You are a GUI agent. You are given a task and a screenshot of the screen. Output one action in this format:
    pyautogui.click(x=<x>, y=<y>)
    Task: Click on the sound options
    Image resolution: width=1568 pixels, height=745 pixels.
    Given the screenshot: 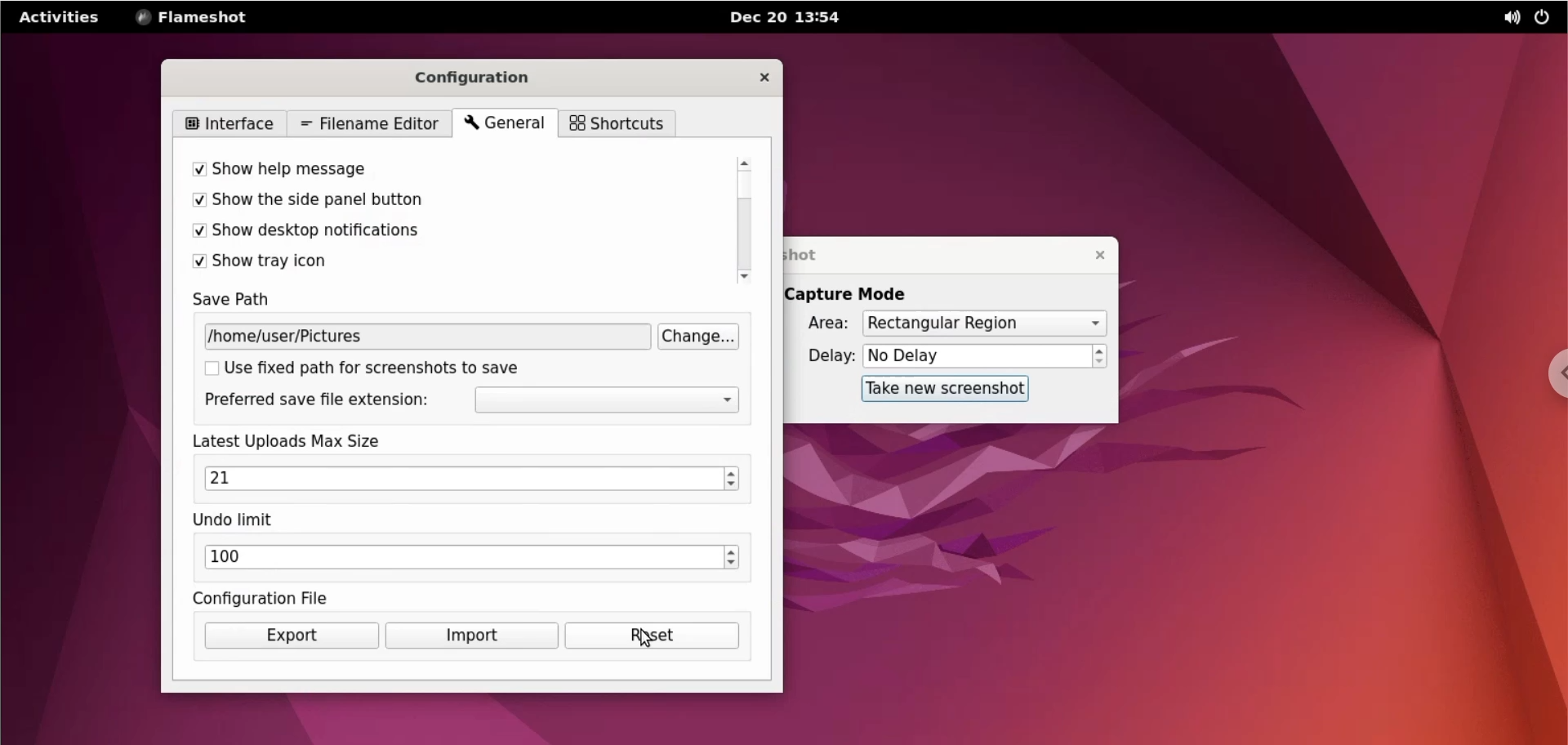 What is the action you would take?
    pyautogui.click(x=1505, y=18)
    